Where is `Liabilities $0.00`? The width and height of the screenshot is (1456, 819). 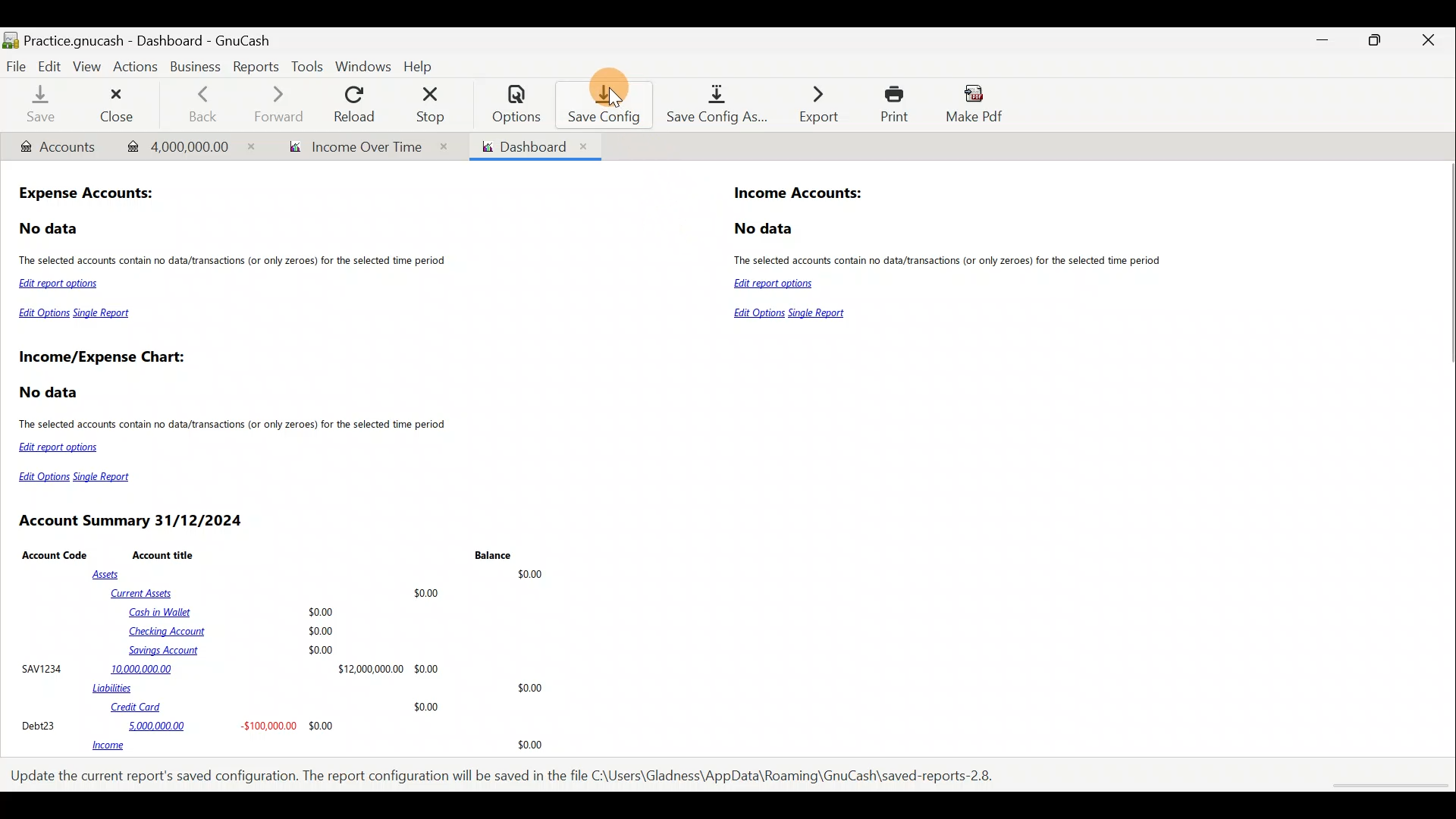 Liabilities $0.00 is located at coordinates (321, 688).